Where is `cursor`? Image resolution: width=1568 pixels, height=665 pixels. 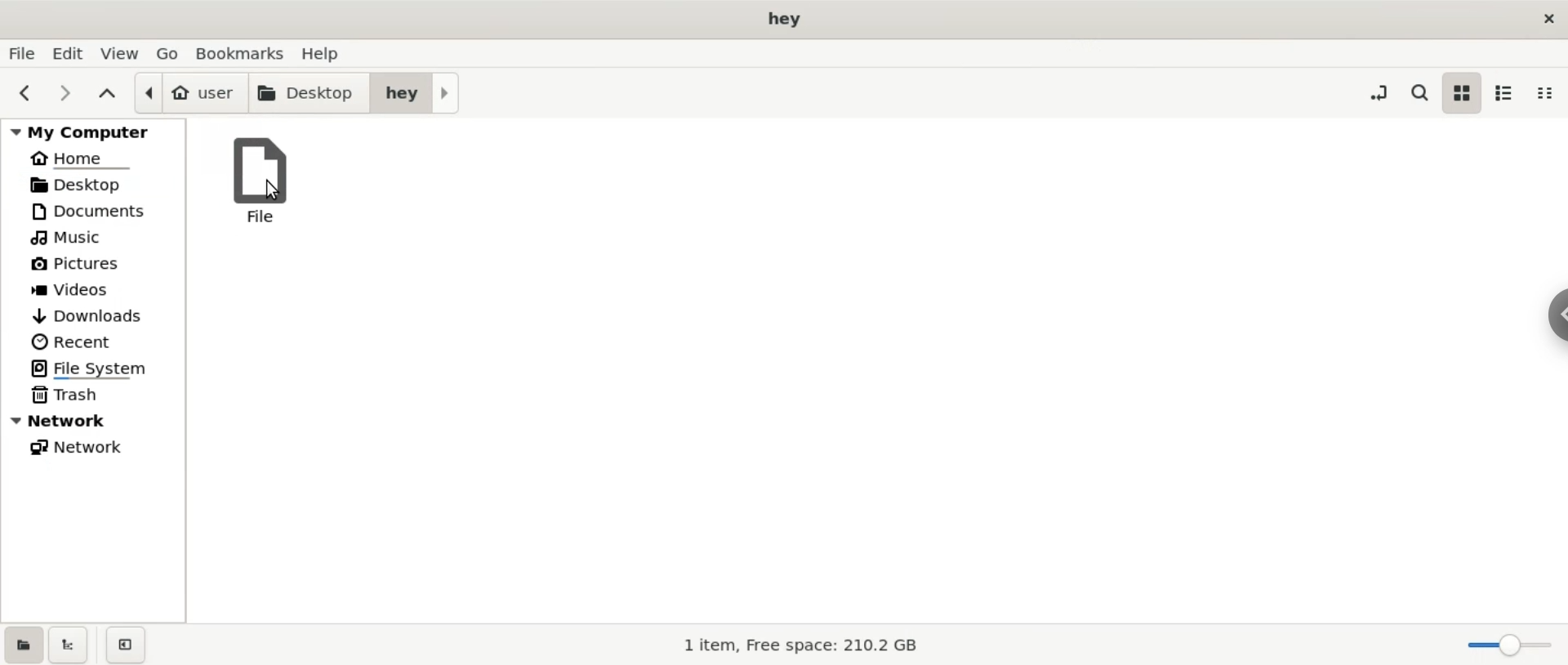
cursor is located at coordinates (1547, 317).